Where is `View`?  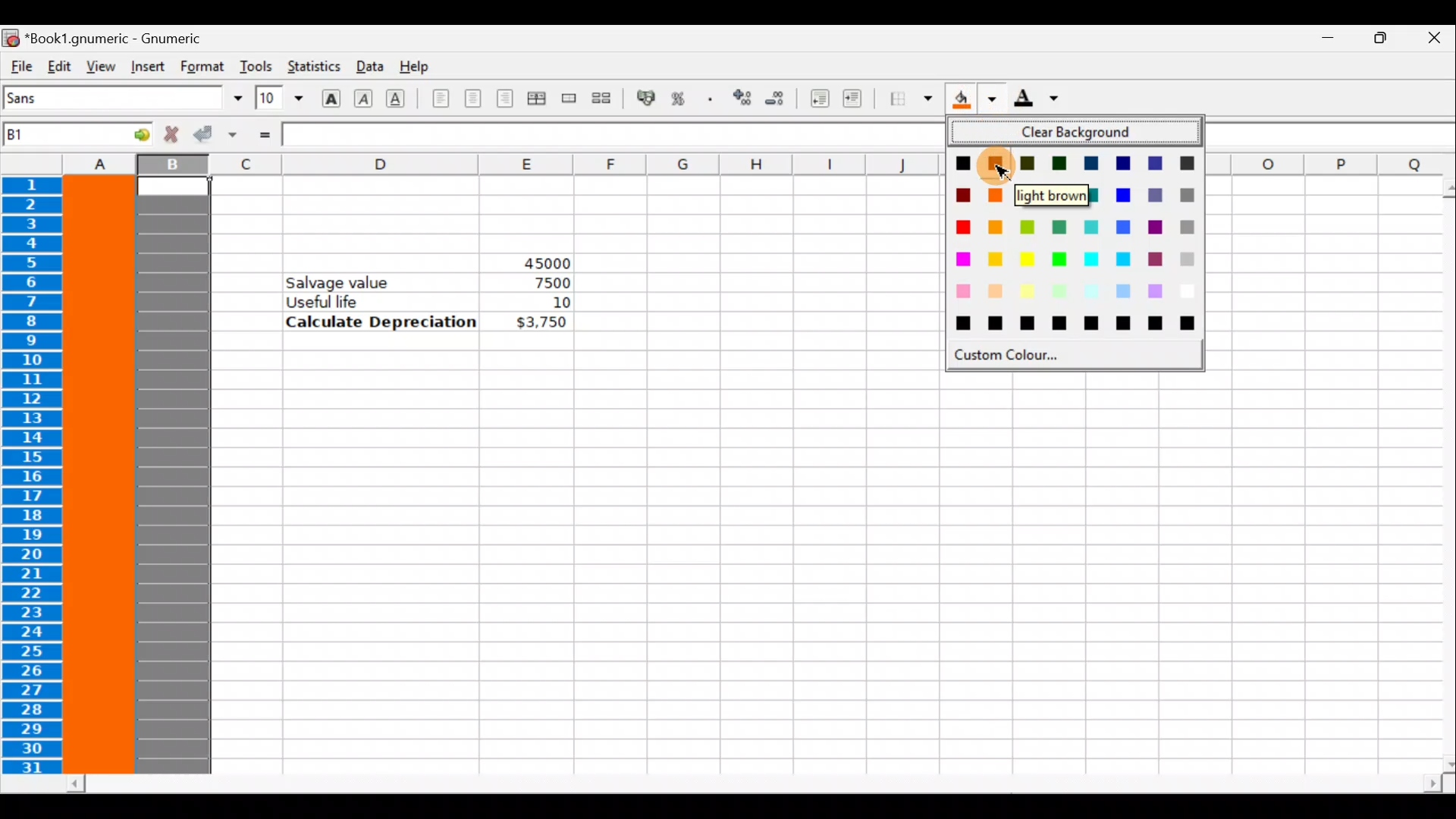 View is located at coordinates (96, 65).